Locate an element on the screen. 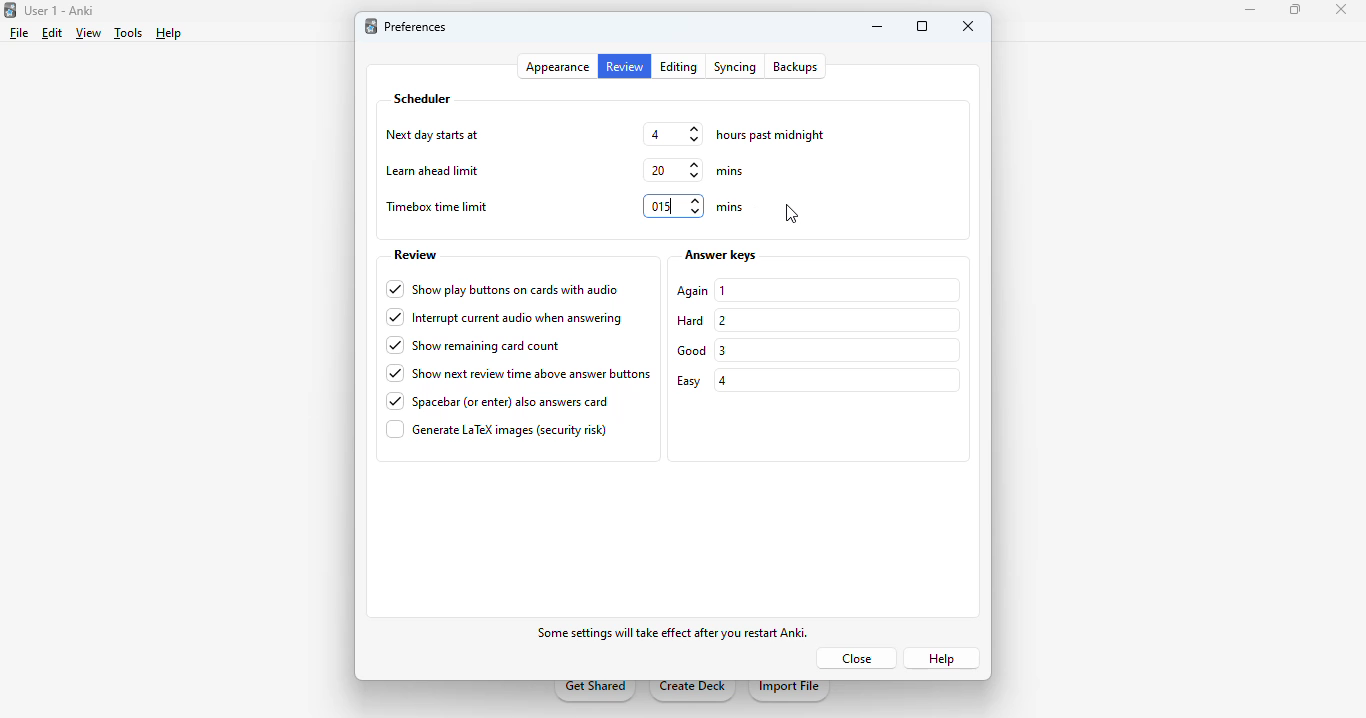 This screenshot has width=1366, height=718. learn ahead limit is located at coordinates (432, 171).